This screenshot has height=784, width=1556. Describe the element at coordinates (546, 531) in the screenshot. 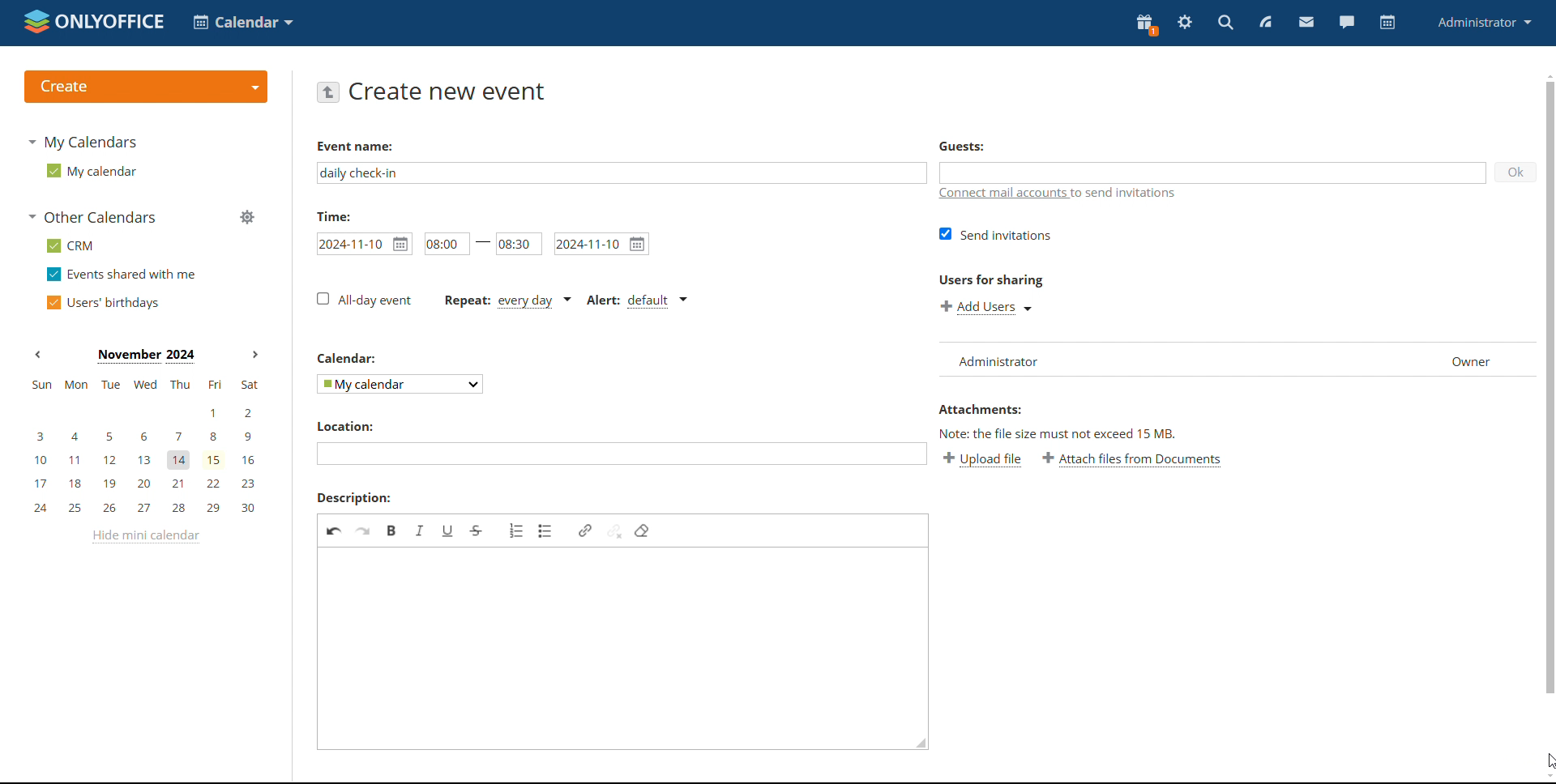

I see `insert/remove bulleted list` at that location.